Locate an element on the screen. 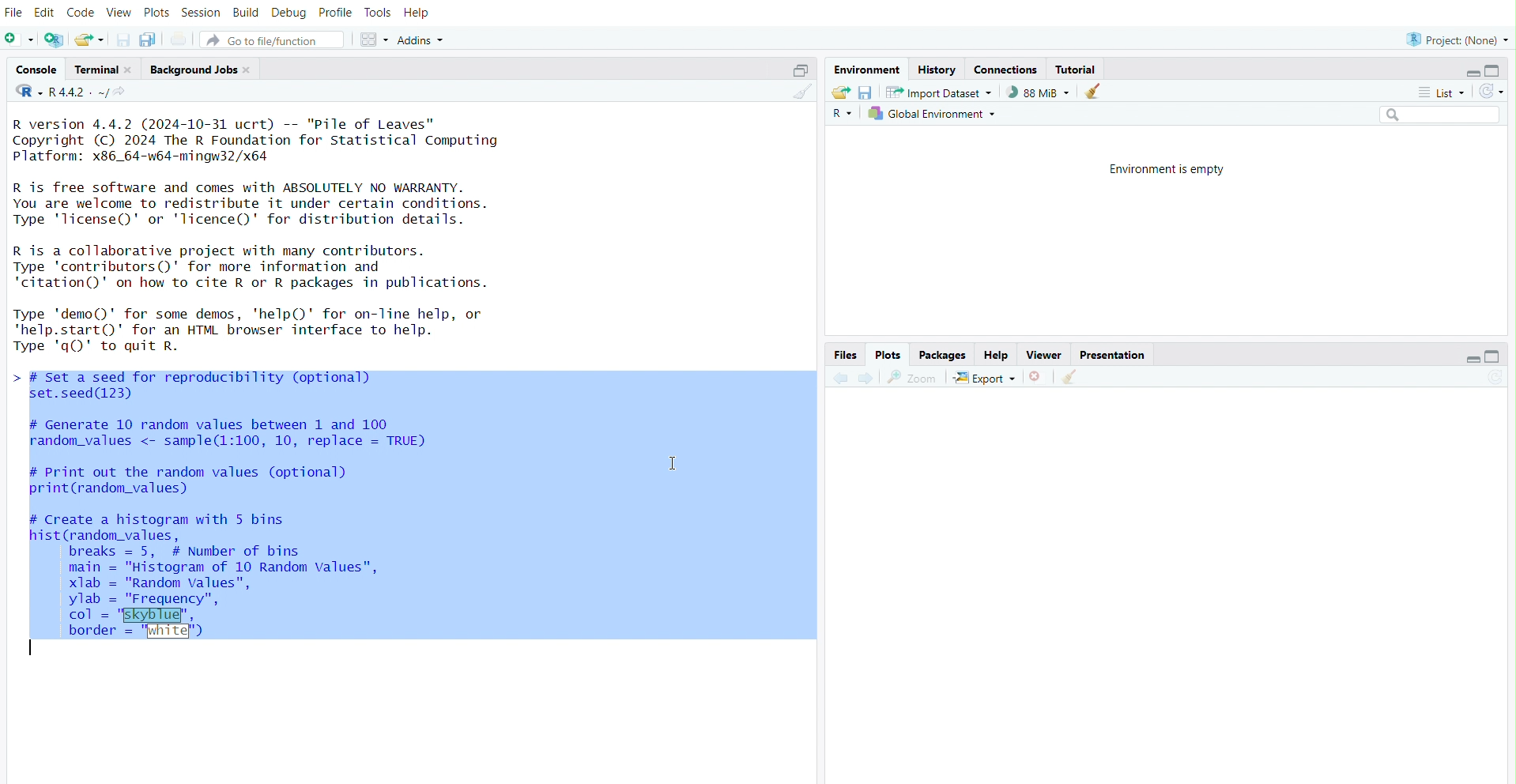 This screenshot has width=1516, height=784. list is located at coordinates (1444, 93).